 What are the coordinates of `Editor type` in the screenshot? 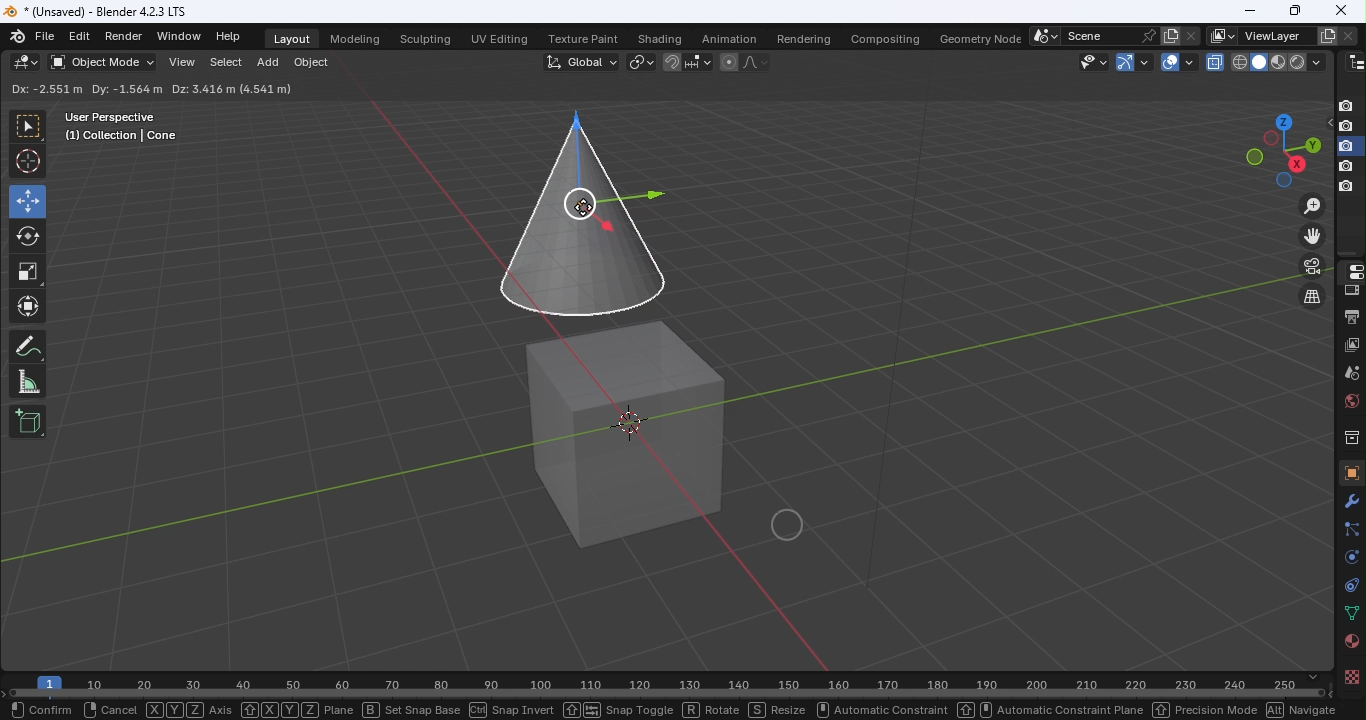 It's located at (1349, 270).